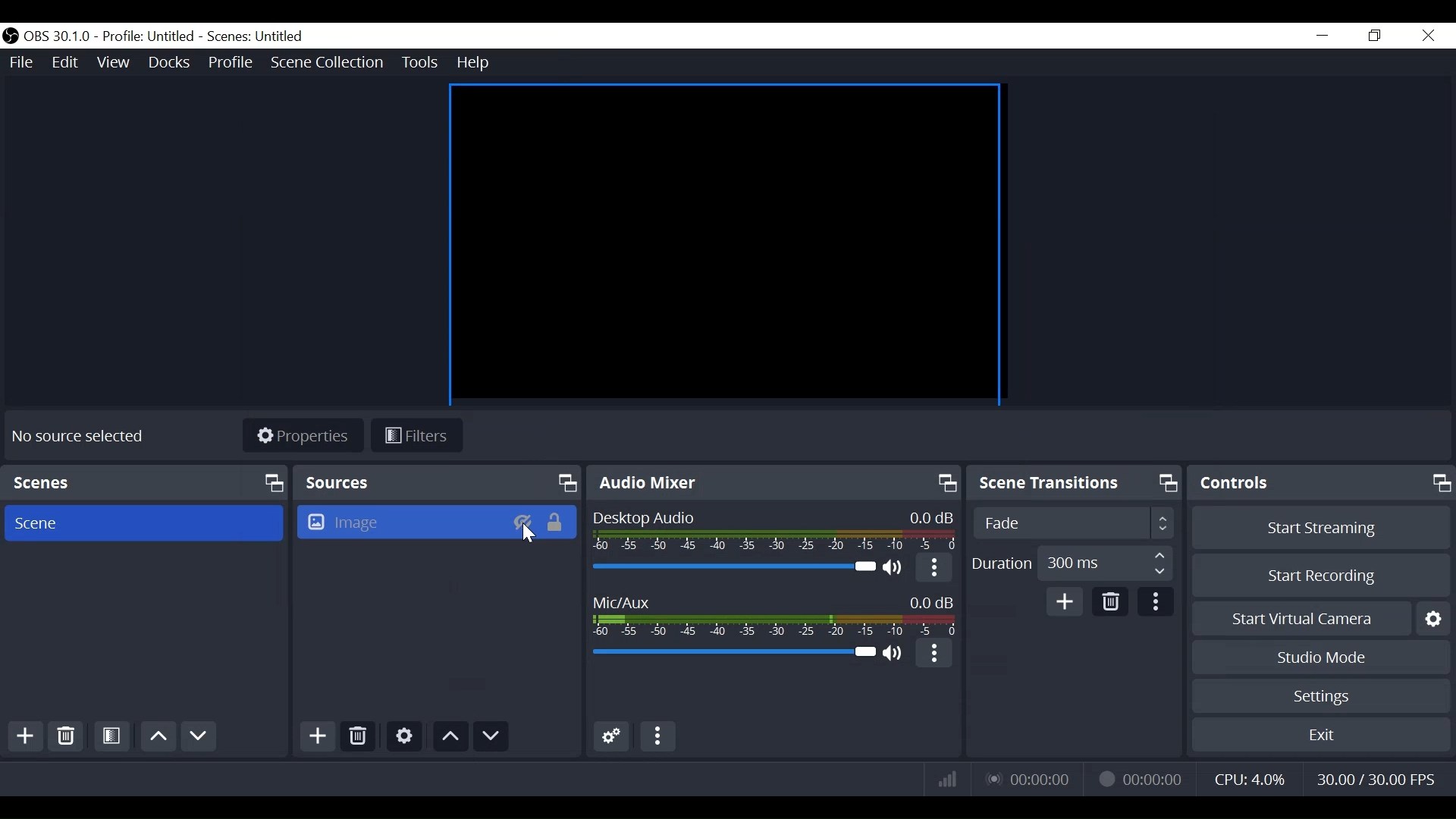 The image size is (1456, 819). What do you see at coordinates (21, 737) in the screenshot?
I see `Add Scene` at bounding box center [21, 737].